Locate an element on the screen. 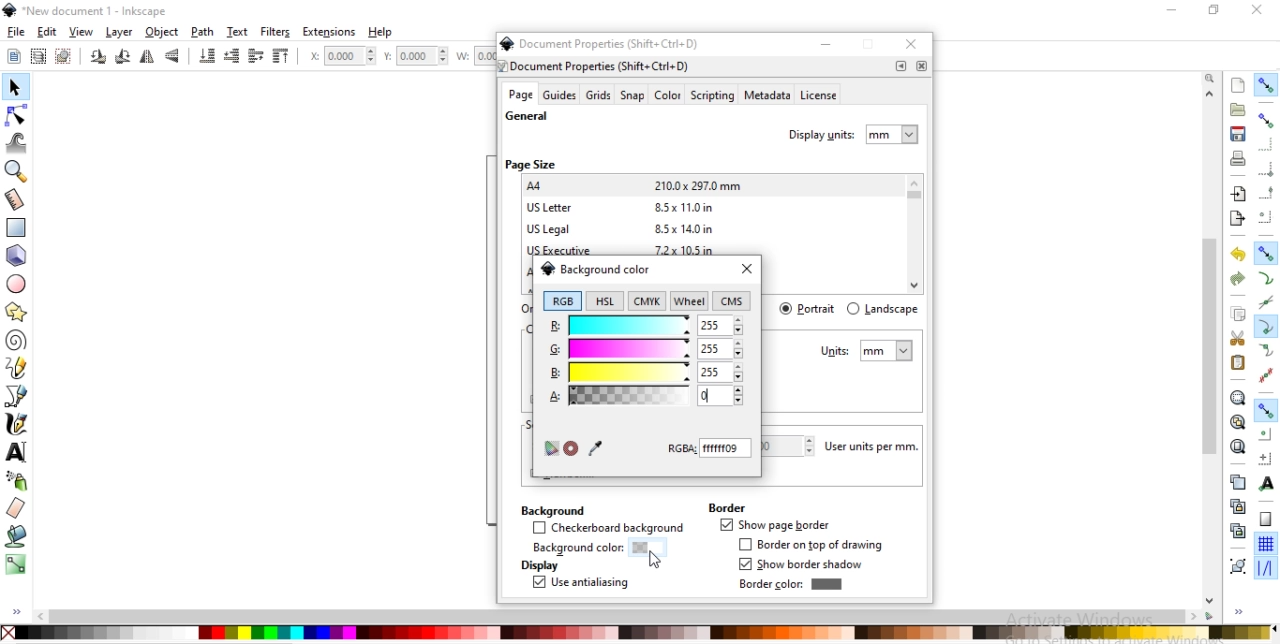 The height and width of the screenshot is (644, 1280). page size is located at coordinates (530, 164).